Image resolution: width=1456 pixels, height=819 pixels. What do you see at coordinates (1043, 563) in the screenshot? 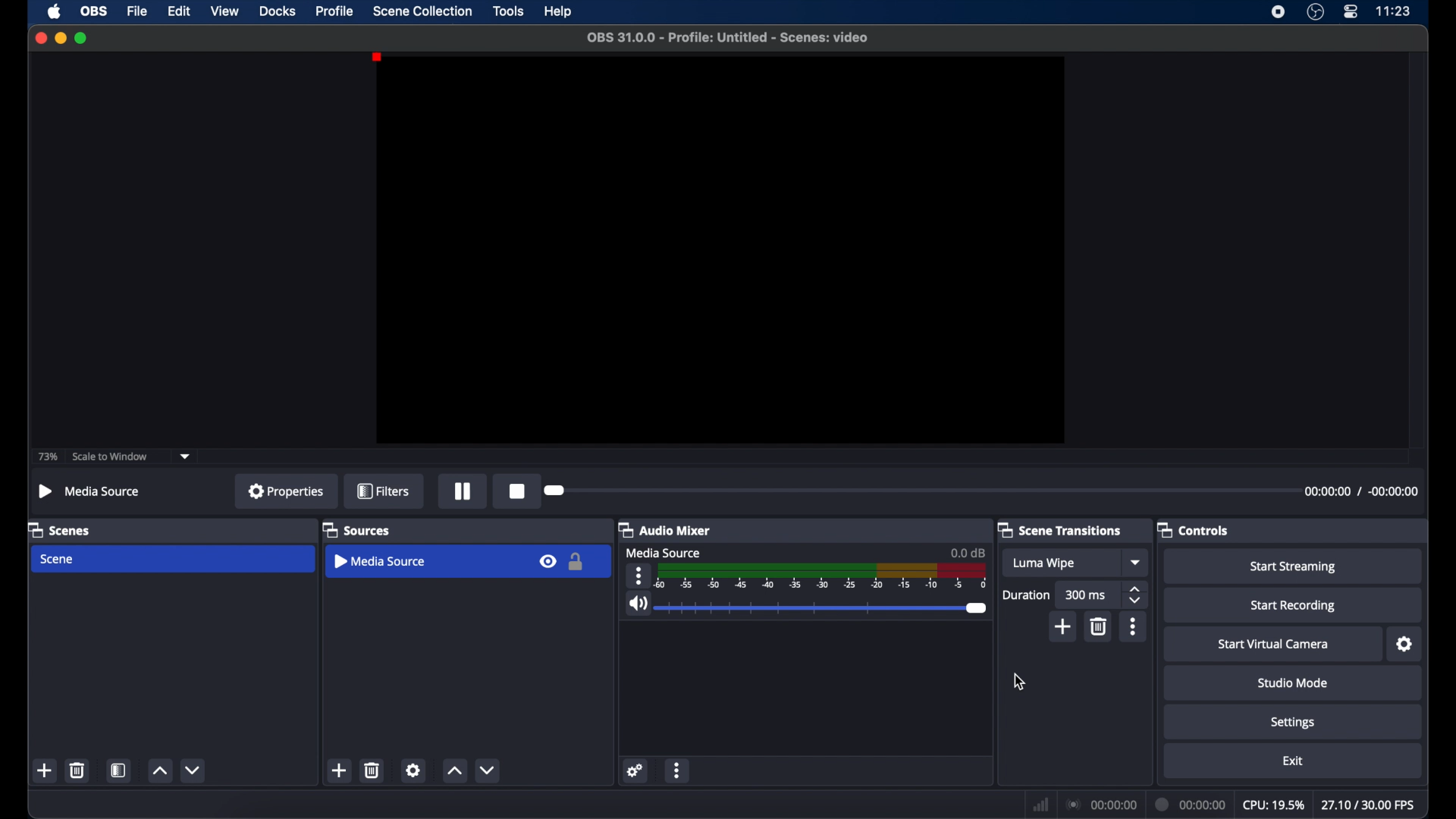
I see `luma wipe` at bounding box center [1043, 563].